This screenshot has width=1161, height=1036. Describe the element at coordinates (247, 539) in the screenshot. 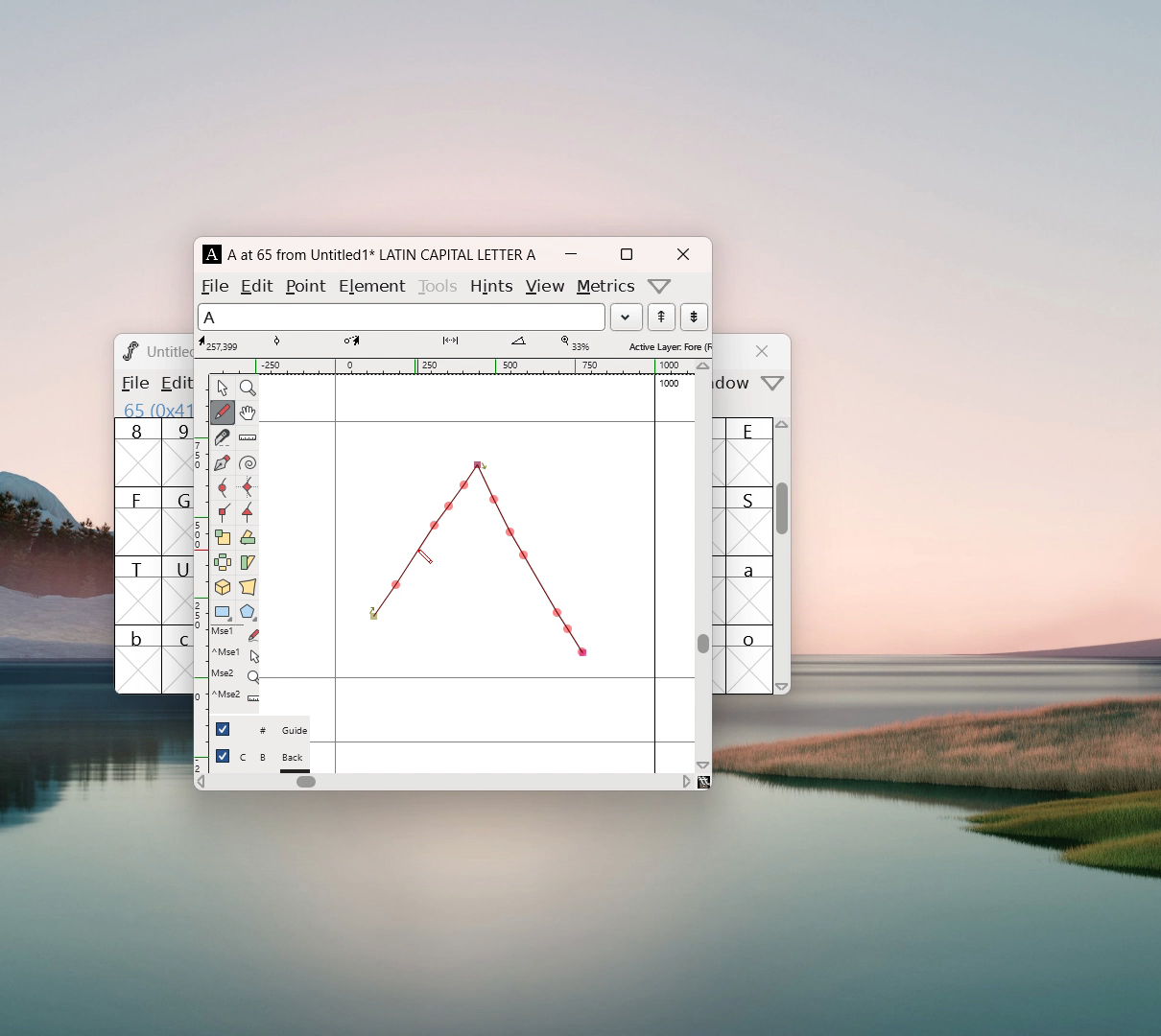

I see `rotate the selection` at that location.